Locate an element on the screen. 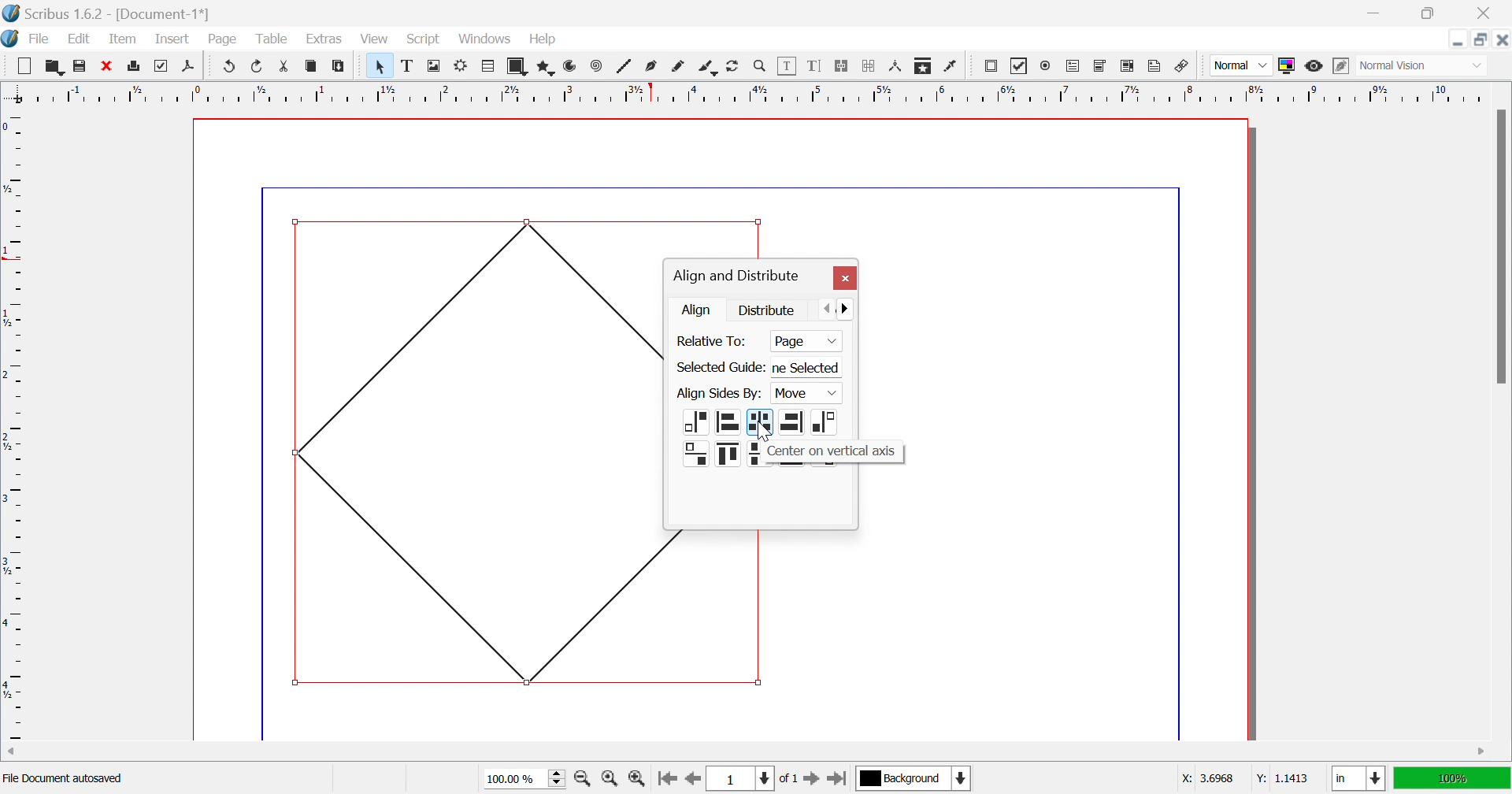 Image resolution: width=1512 pixels, height=794 pixels. Measurements is located at coordinates (897, 67).